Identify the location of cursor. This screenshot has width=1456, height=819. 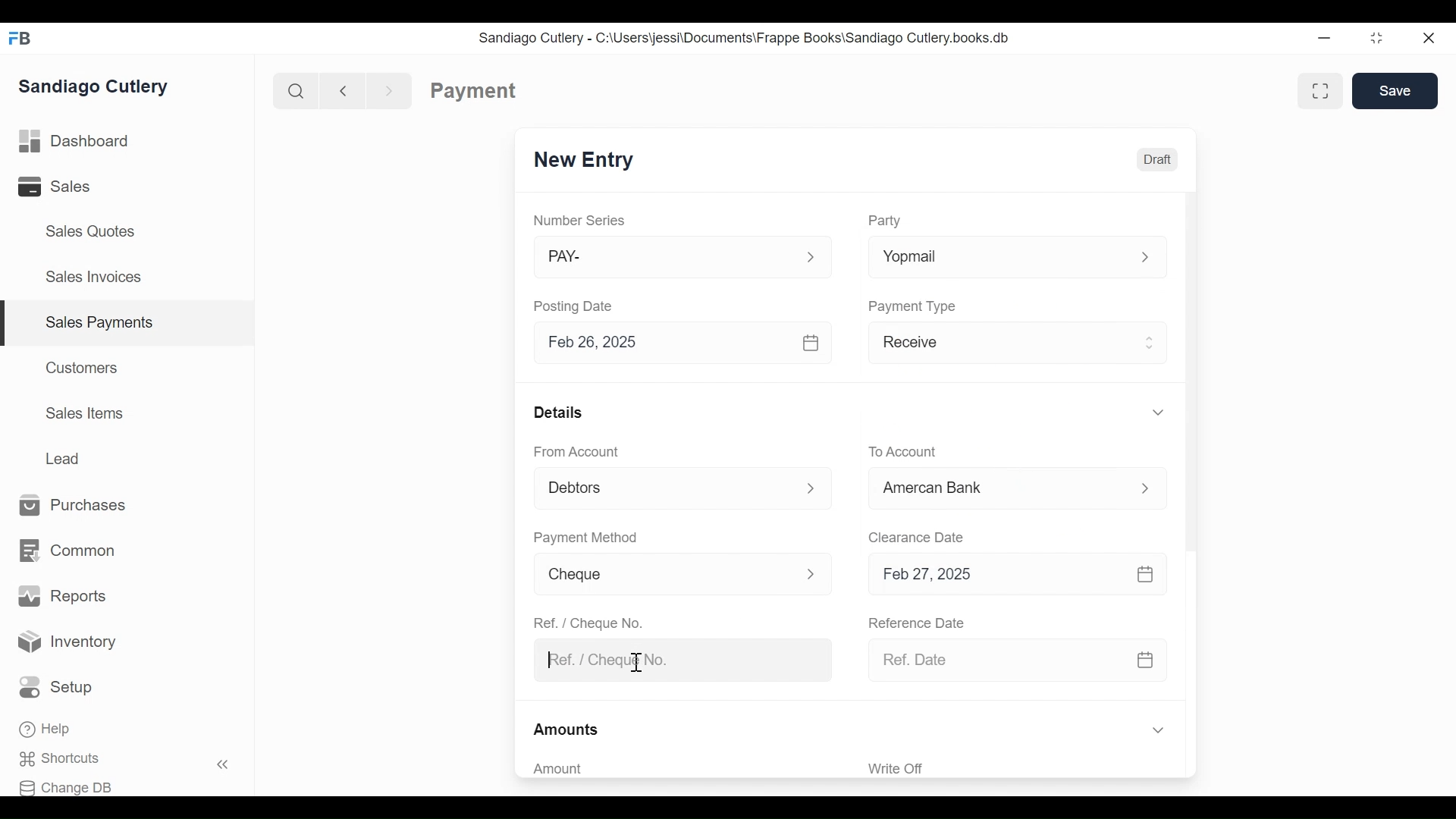
(640, 661).